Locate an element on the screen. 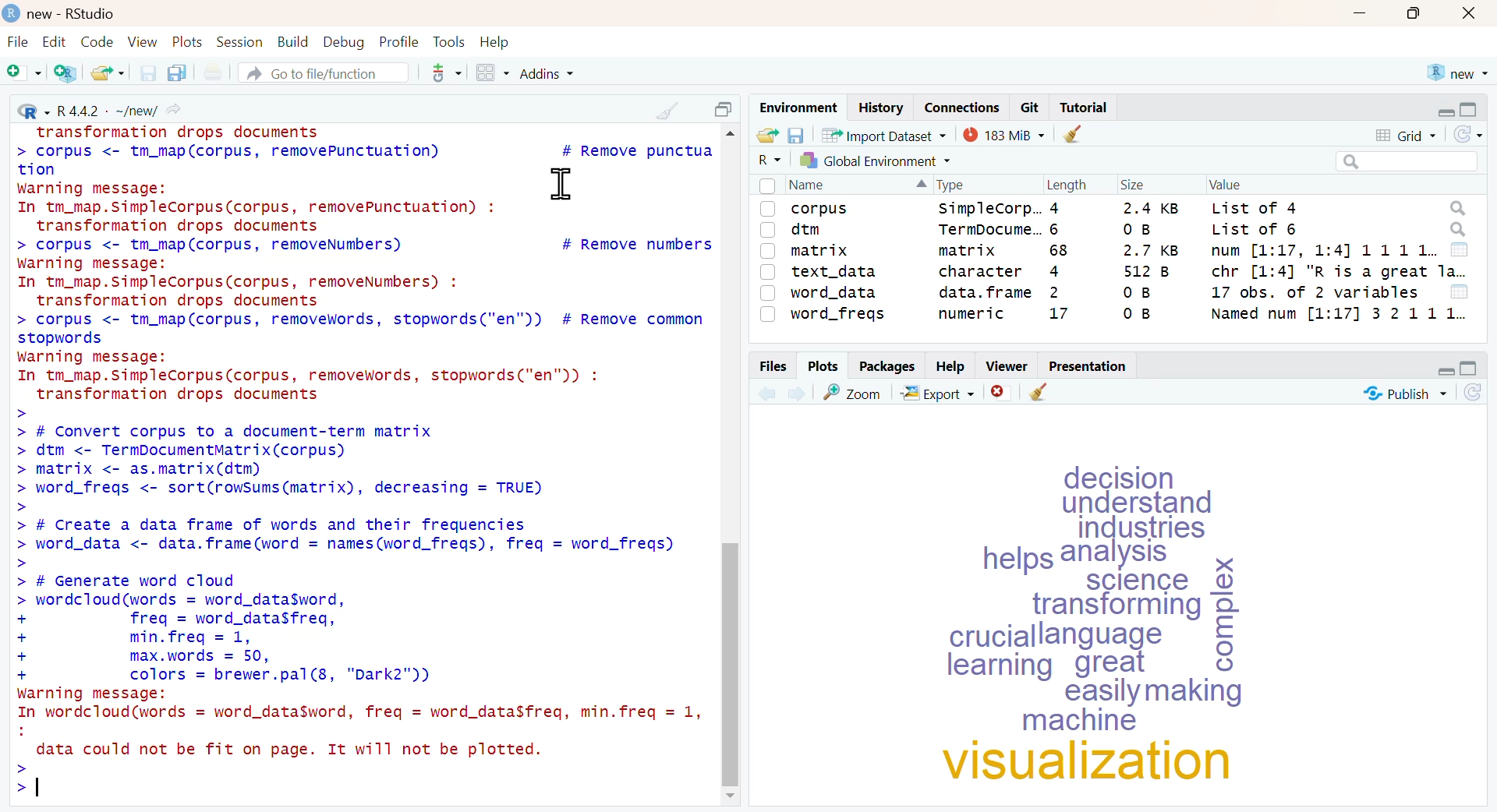 The image size is (1497, 812). 0 B is located at coordinates (1135, 228).